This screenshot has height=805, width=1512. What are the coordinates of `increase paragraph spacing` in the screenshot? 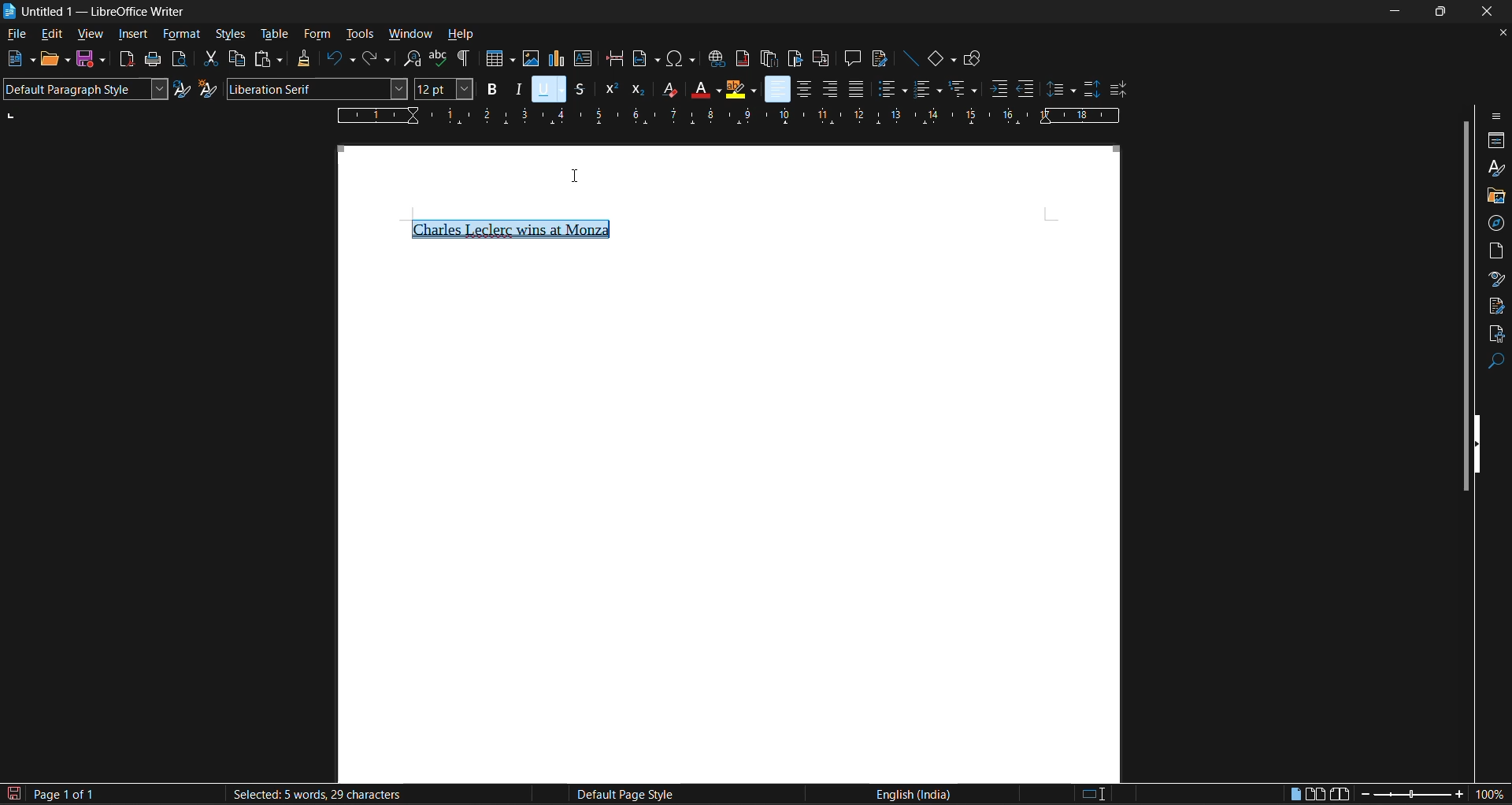 It's located at (1089, 90).